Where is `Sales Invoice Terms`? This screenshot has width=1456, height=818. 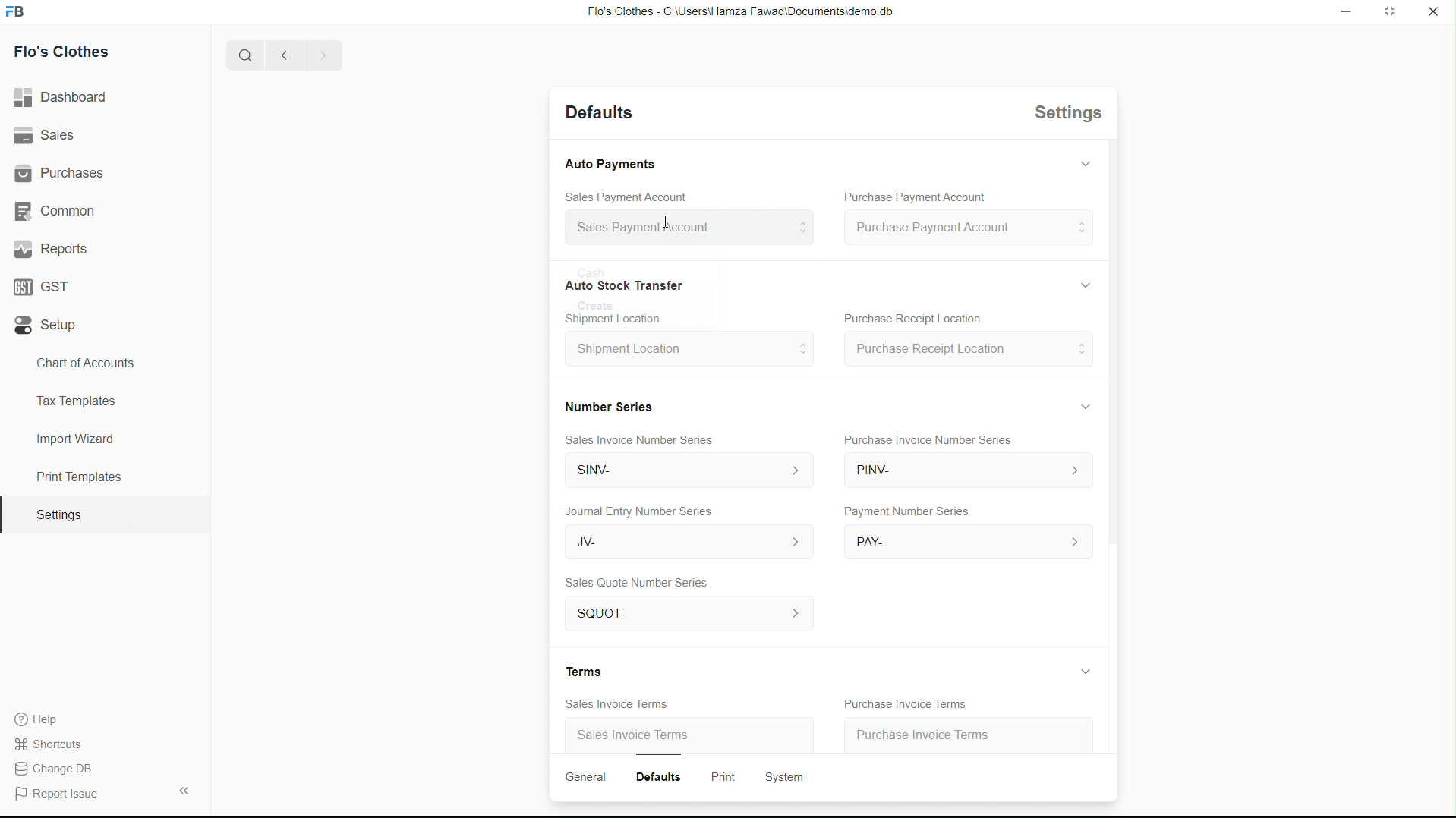 Sales Invoice Terms is located at coordinates (622, 704).